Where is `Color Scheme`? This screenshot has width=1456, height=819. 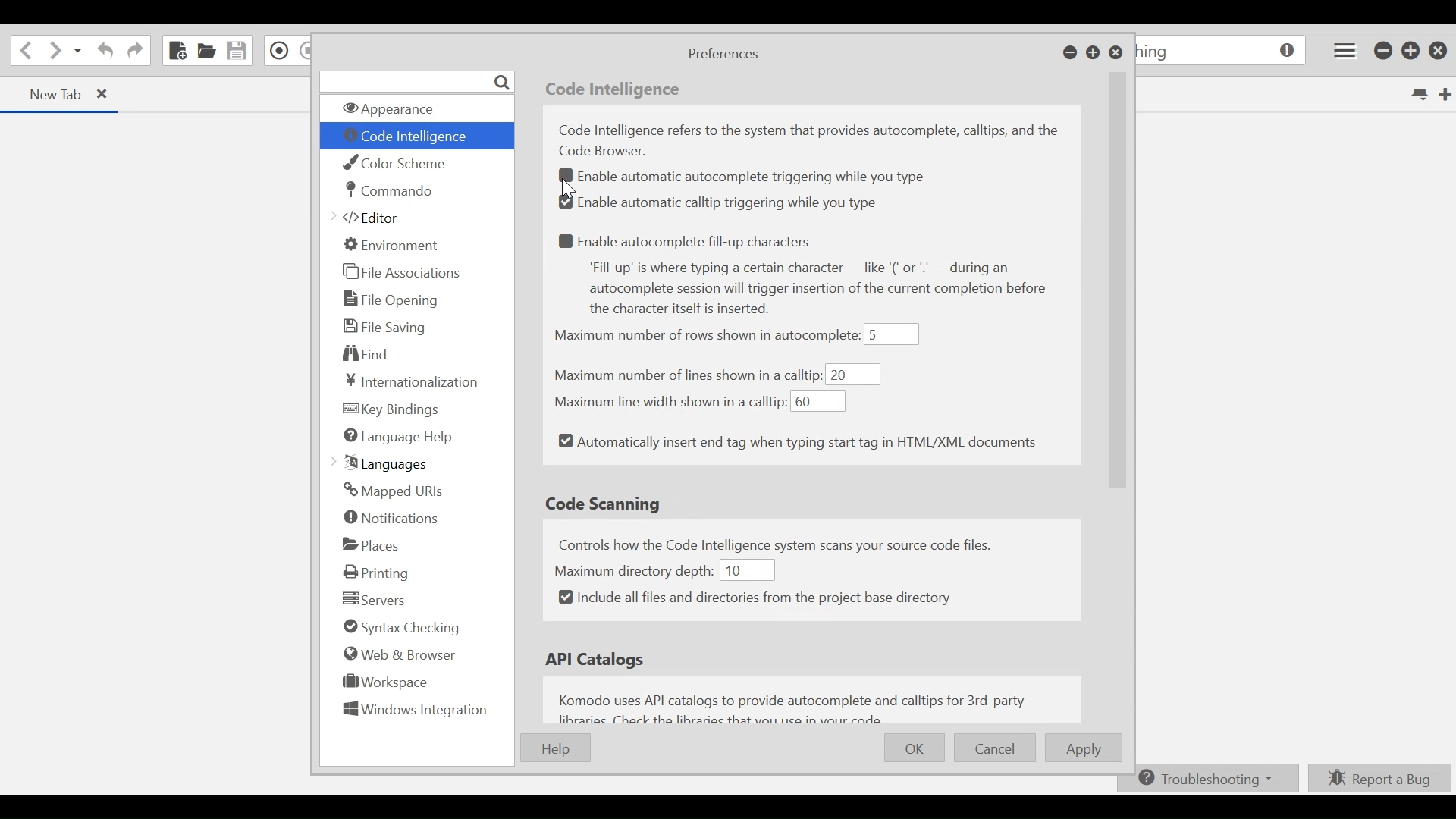
Color Scheme is located at coordinates (401, 163).